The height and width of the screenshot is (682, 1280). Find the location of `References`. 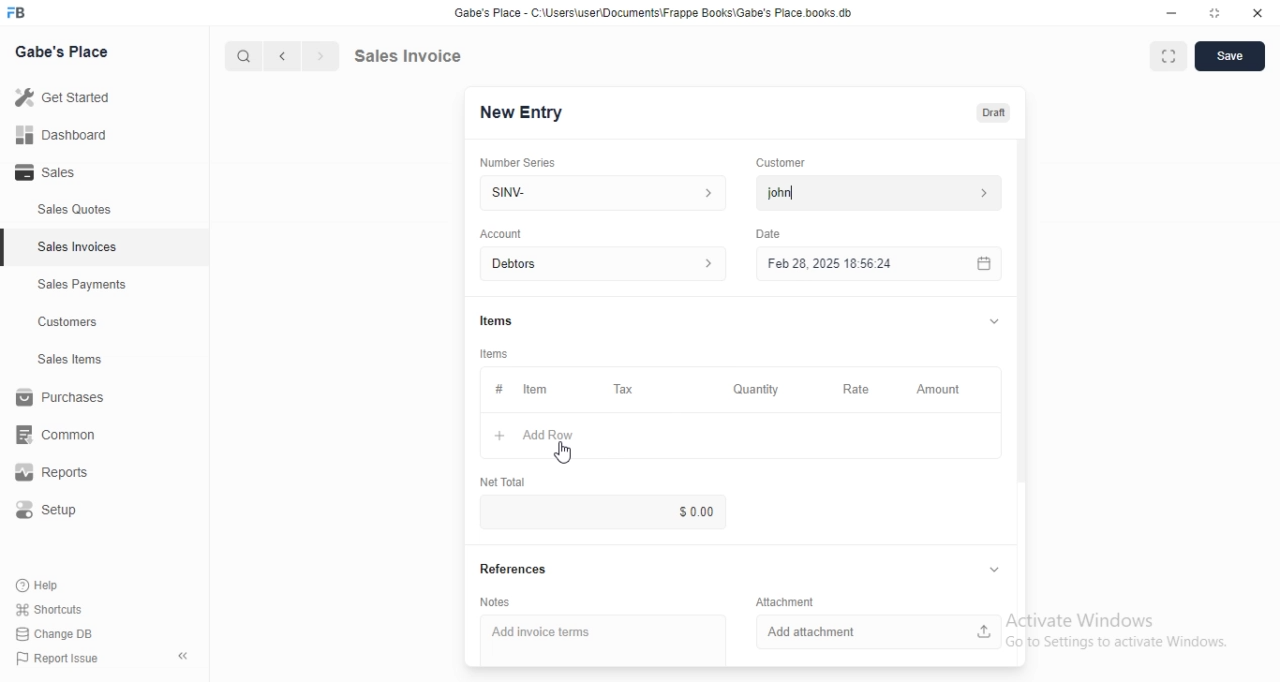

References is located at coordinates (516, 571).